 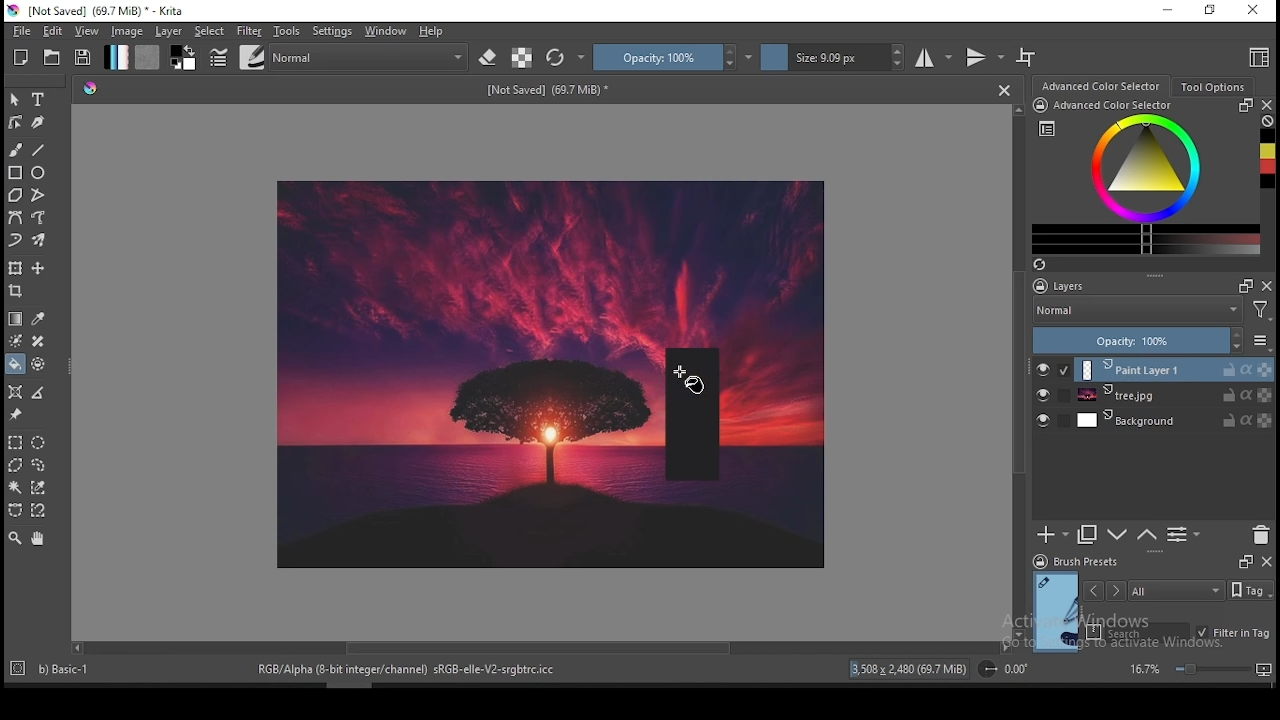 I want to click on colors, so click(x=184, y=58).